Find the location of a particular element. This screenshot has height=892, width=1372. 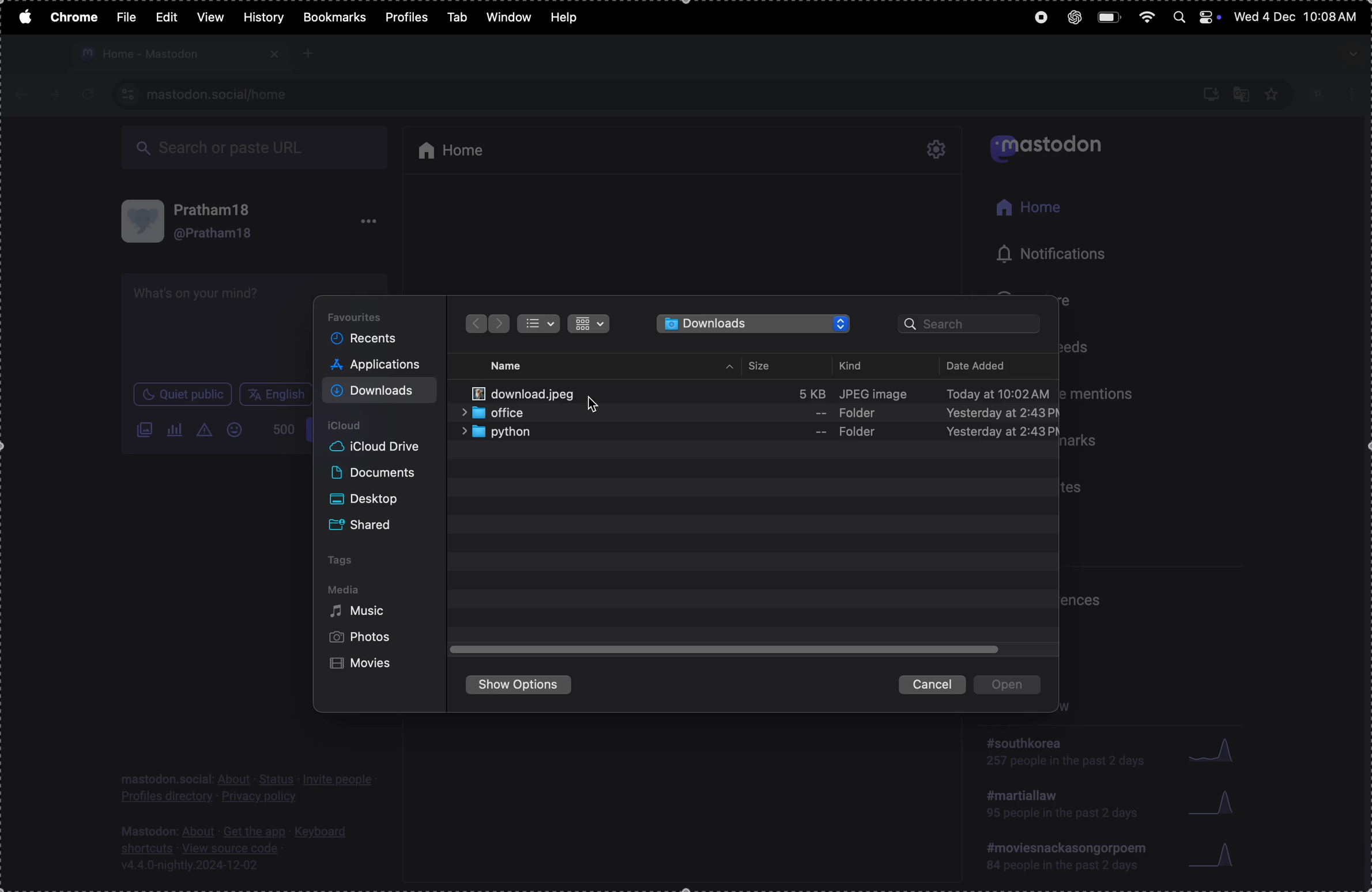

Chrome is located at coordinates (72, 17).